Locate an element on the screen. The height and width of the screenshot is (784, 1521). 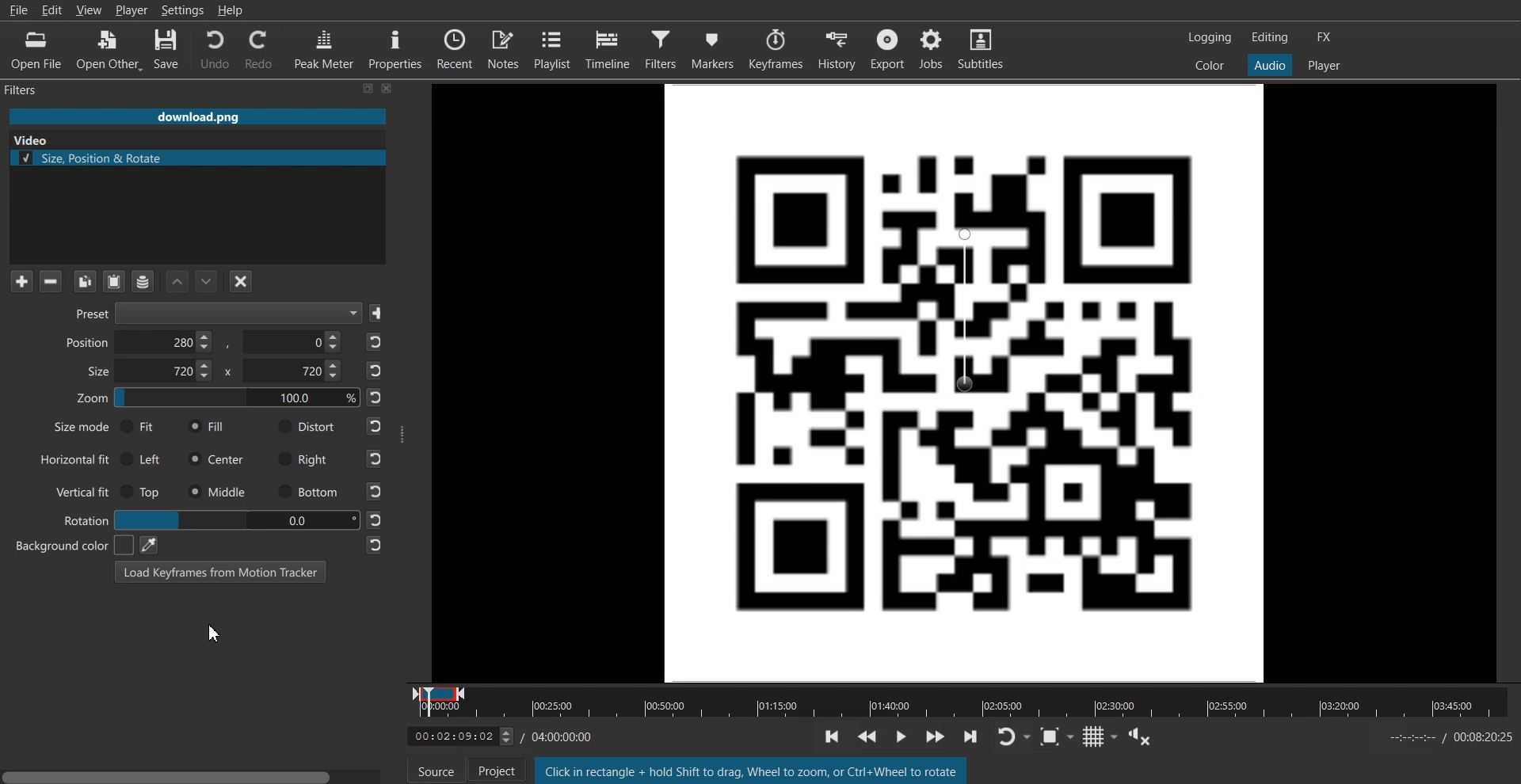
Time is located at coordinates (563, 735).